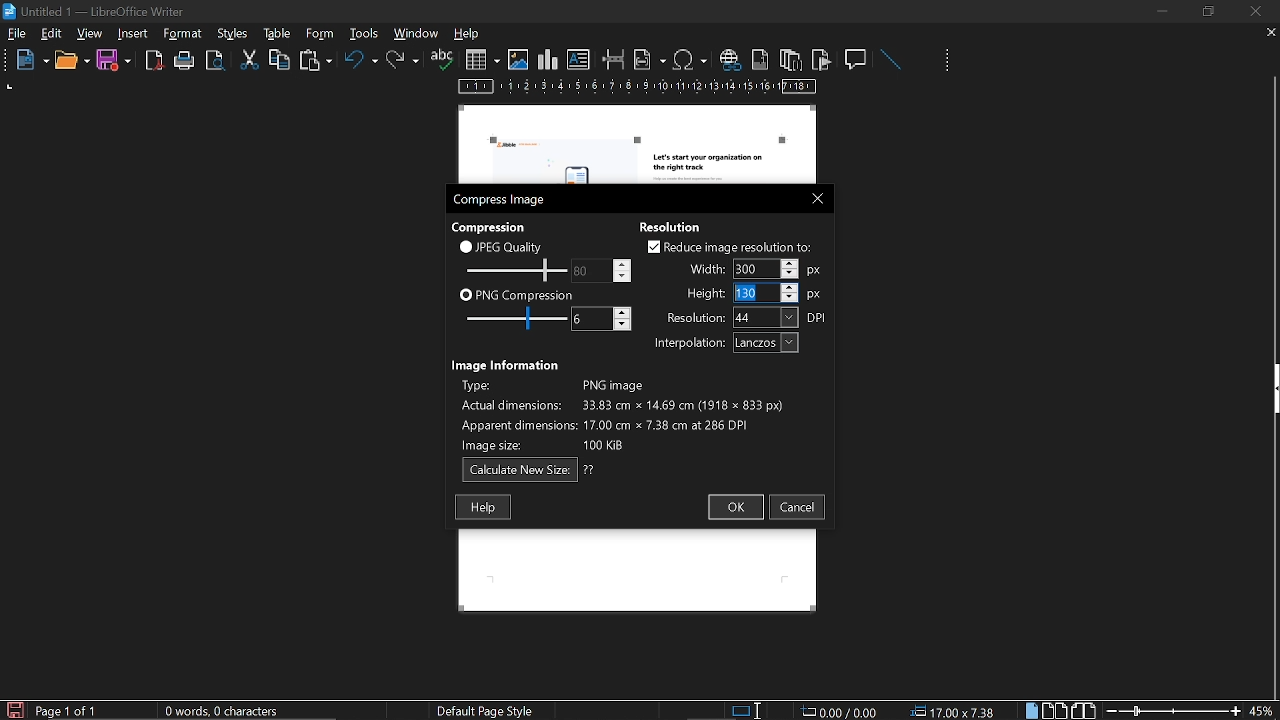  What do you see at coordinates (71, 61) in the screenshot?
I see `open` at bounding box center [71, 61].